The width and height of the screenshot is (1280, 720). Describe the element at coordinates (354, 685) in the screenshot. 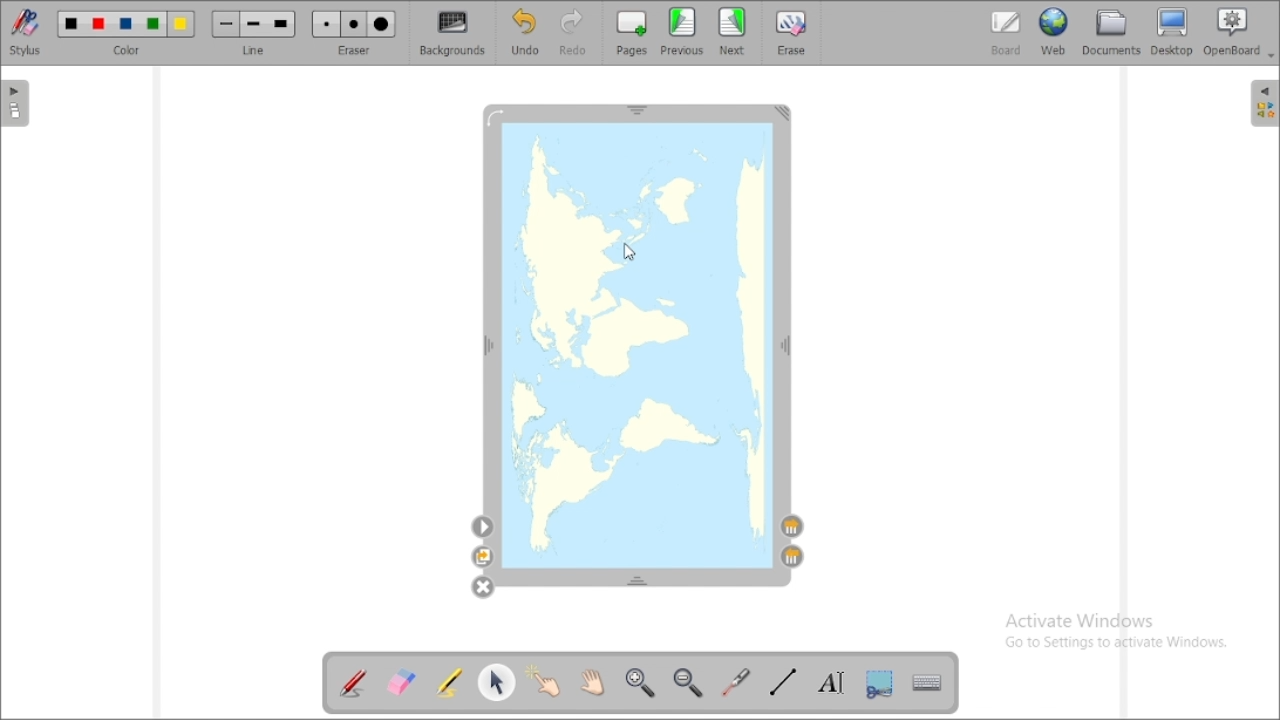

I see `annotate document` at that location.